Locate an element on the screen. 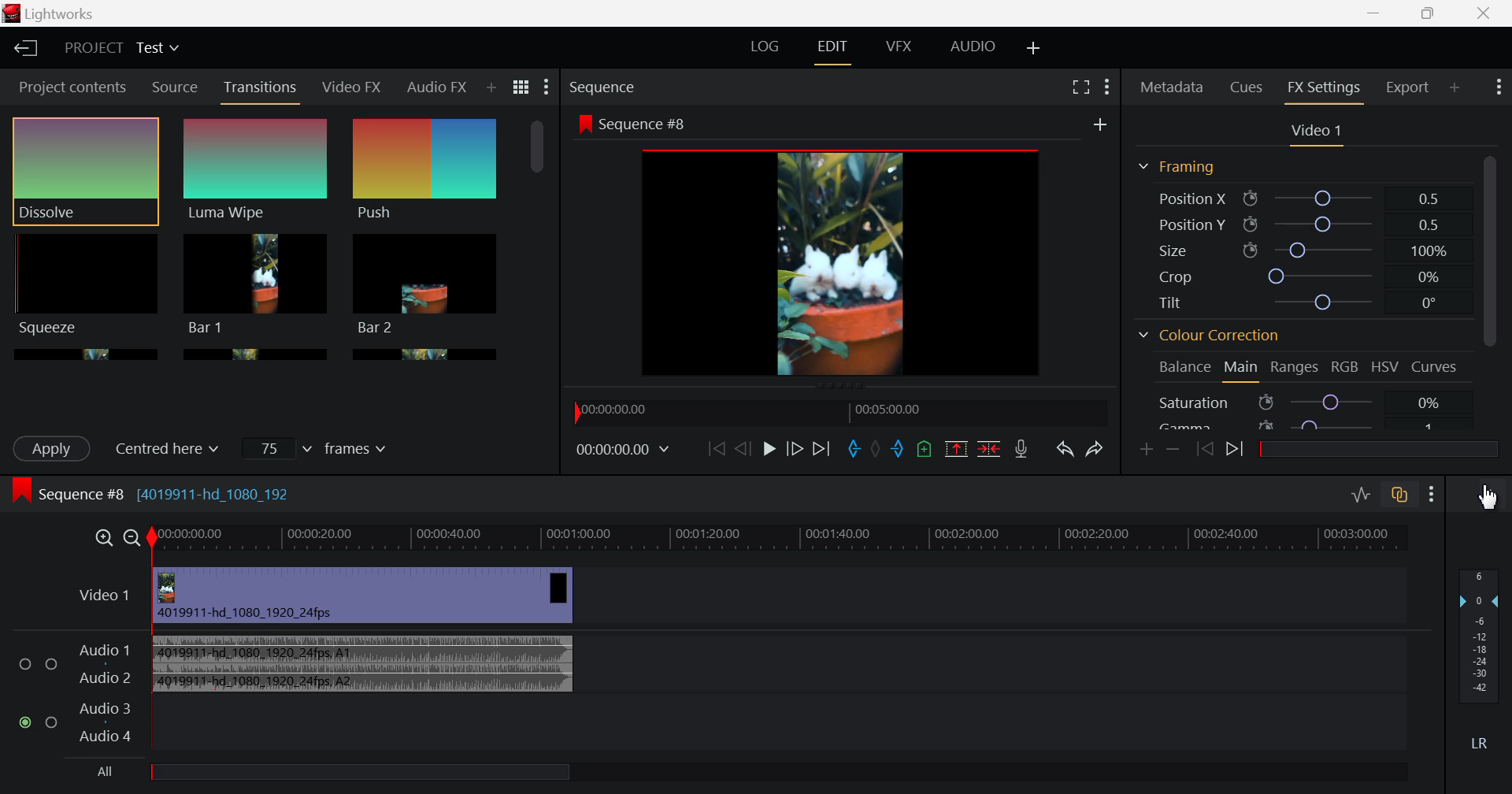  Restore Down is located at coordinates (1374, 14).